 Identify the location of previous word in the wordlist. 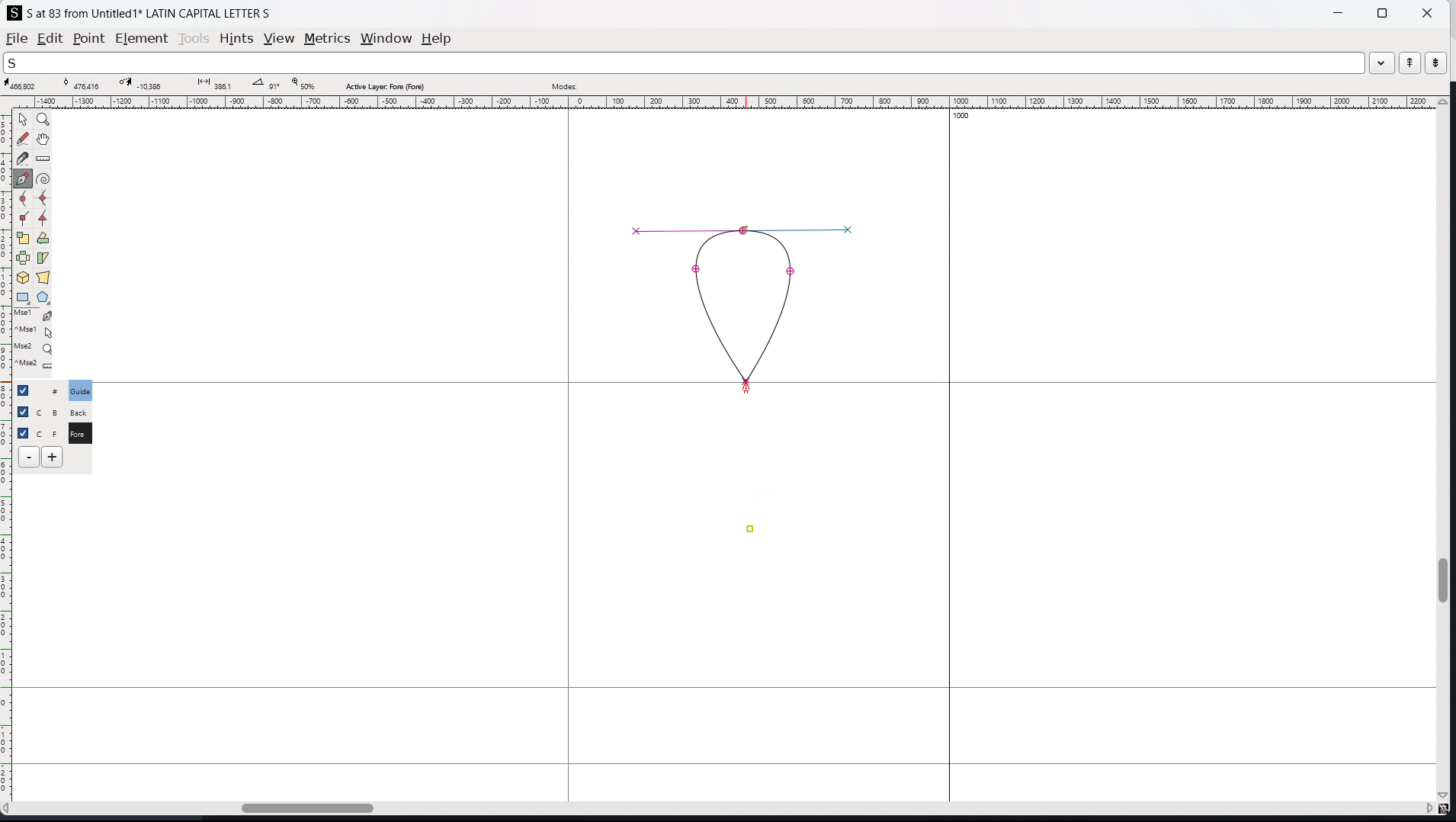
(1410, 63).